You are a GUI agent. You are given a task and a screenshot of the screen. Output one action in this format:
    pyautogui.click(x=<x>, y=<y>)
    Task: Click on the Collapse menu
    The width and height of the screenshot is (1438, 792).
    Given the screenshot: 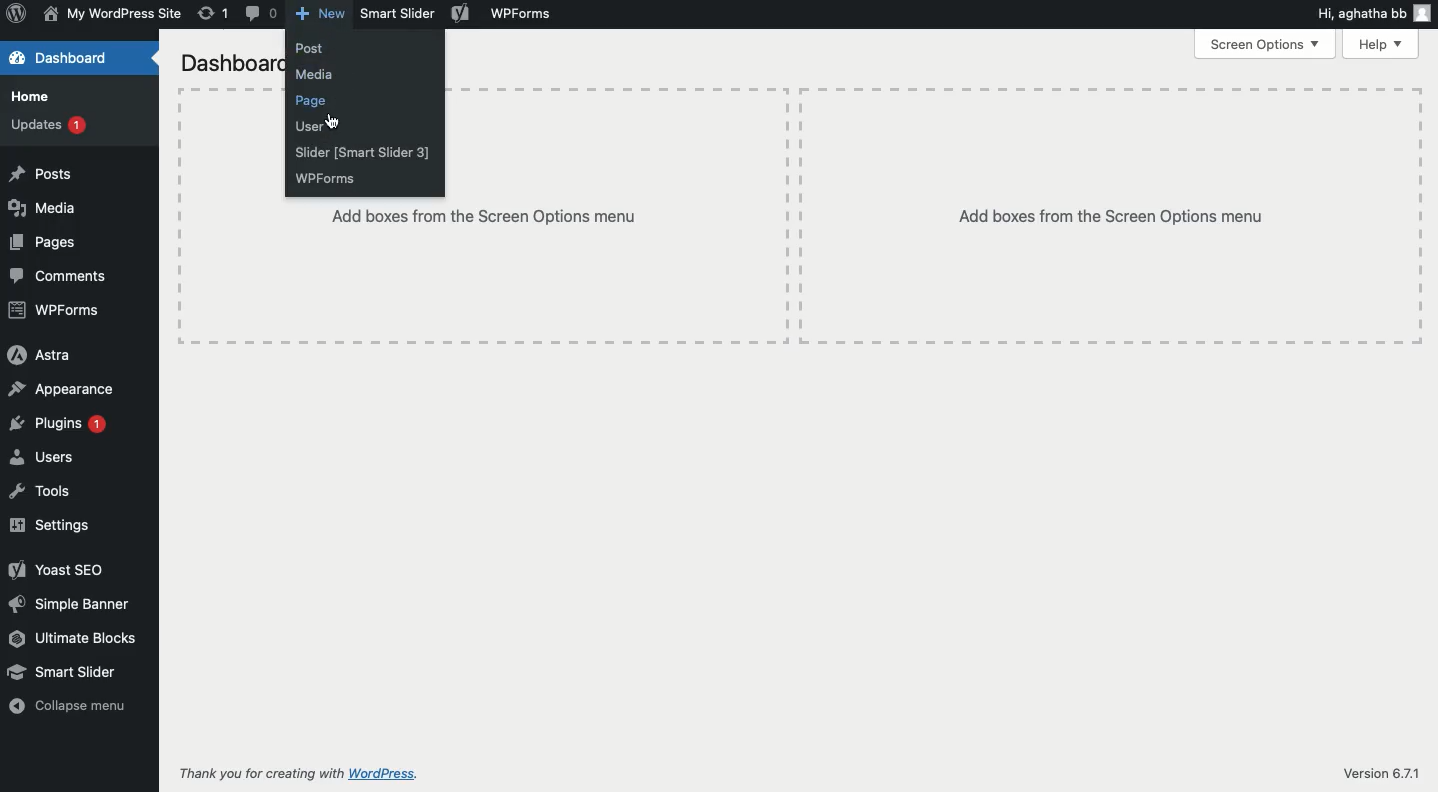 What is the action you would take?
    pyautogui.click(x=66, y=705)
    